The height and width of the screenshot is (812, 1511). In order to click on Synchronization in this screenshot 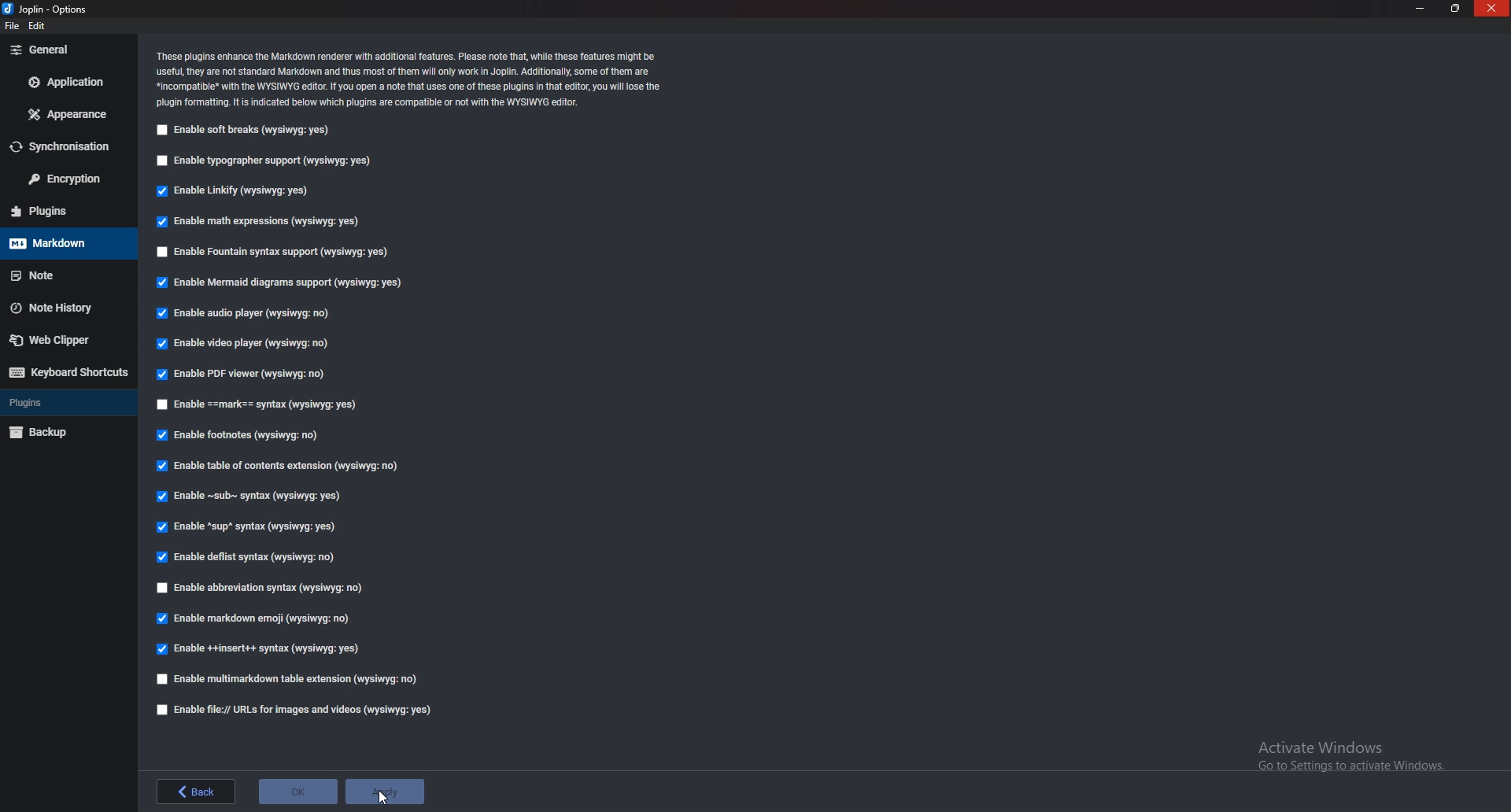, I will do `click(65, 148)`.